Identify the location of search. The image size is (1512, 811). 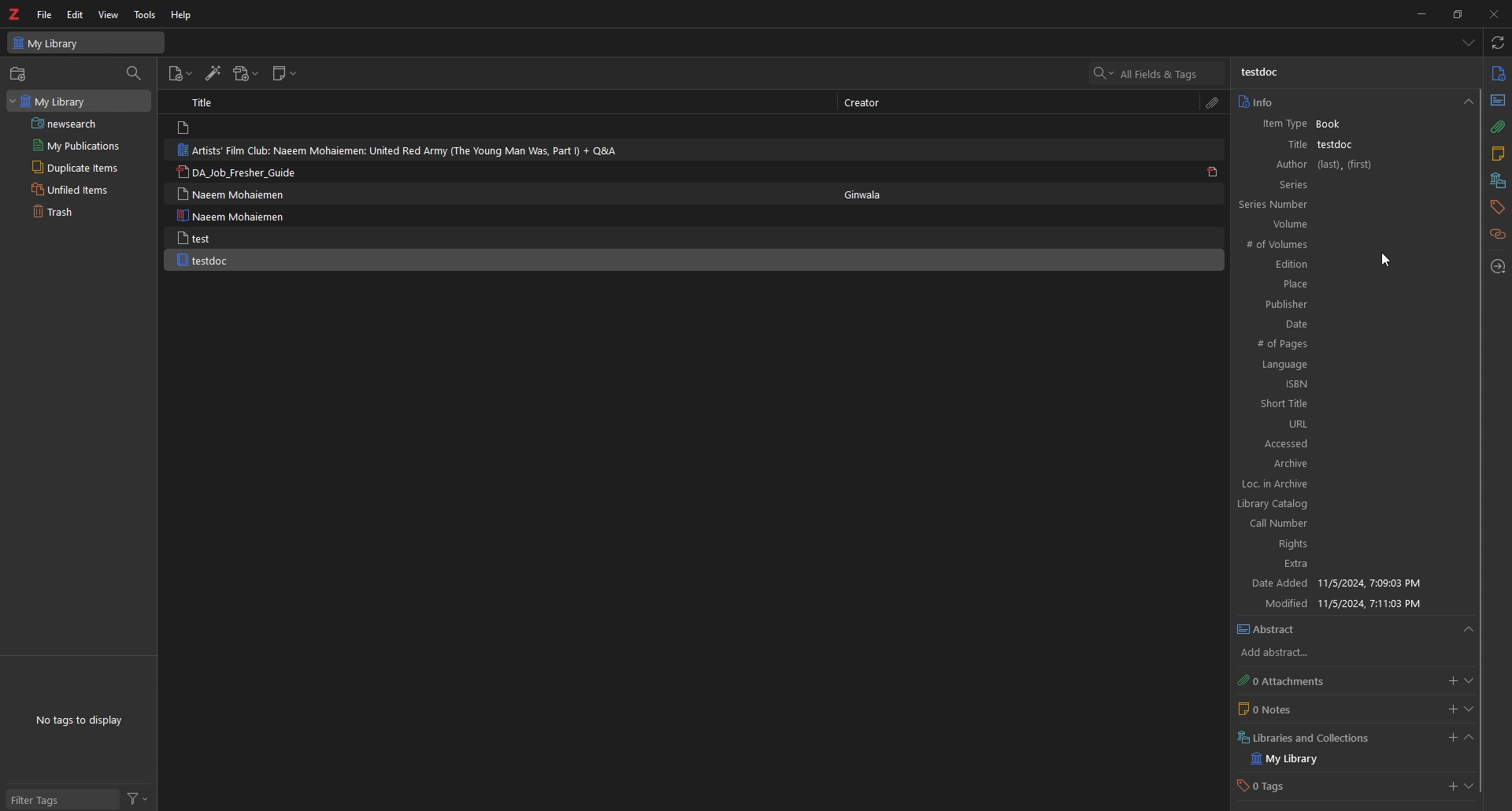
(1158, 72).